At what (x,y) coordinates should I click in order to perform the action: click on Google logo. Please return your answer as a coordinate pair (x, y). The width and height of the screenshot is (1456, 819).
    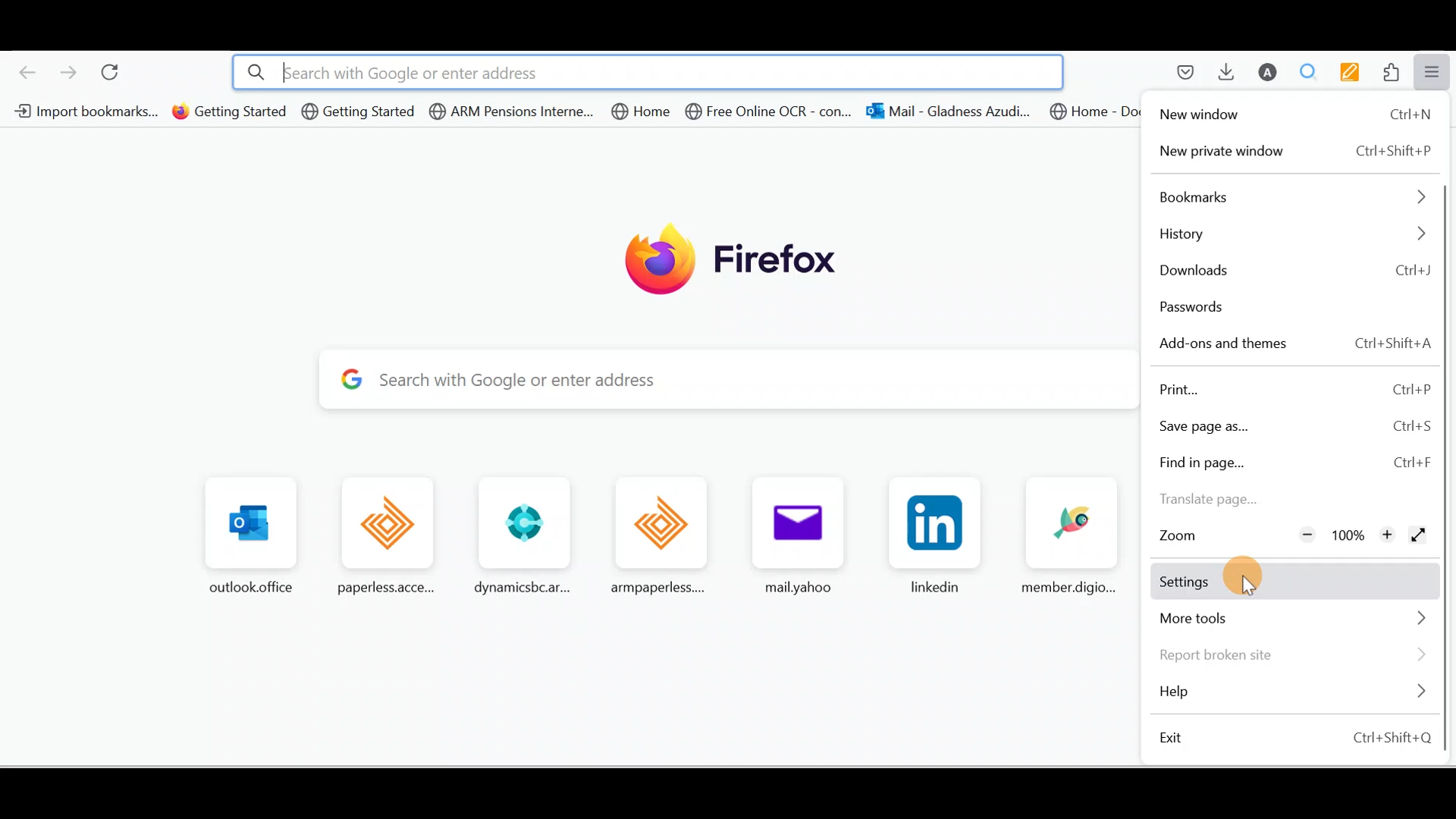
    Looking at the image, I should click on (346, 380).